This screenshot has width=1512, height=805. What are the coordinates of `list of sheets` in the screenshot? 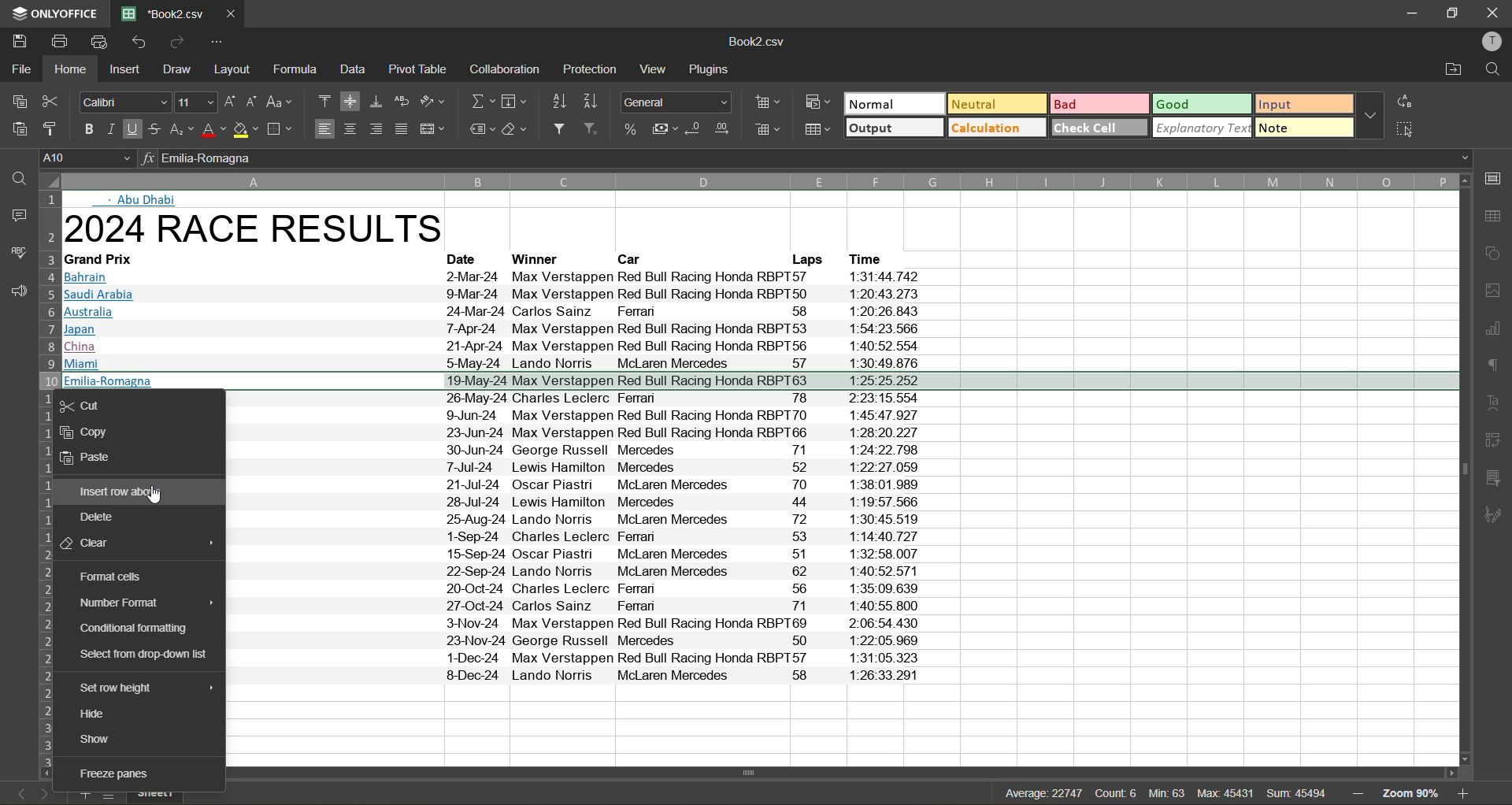 It's located at (109, 793).